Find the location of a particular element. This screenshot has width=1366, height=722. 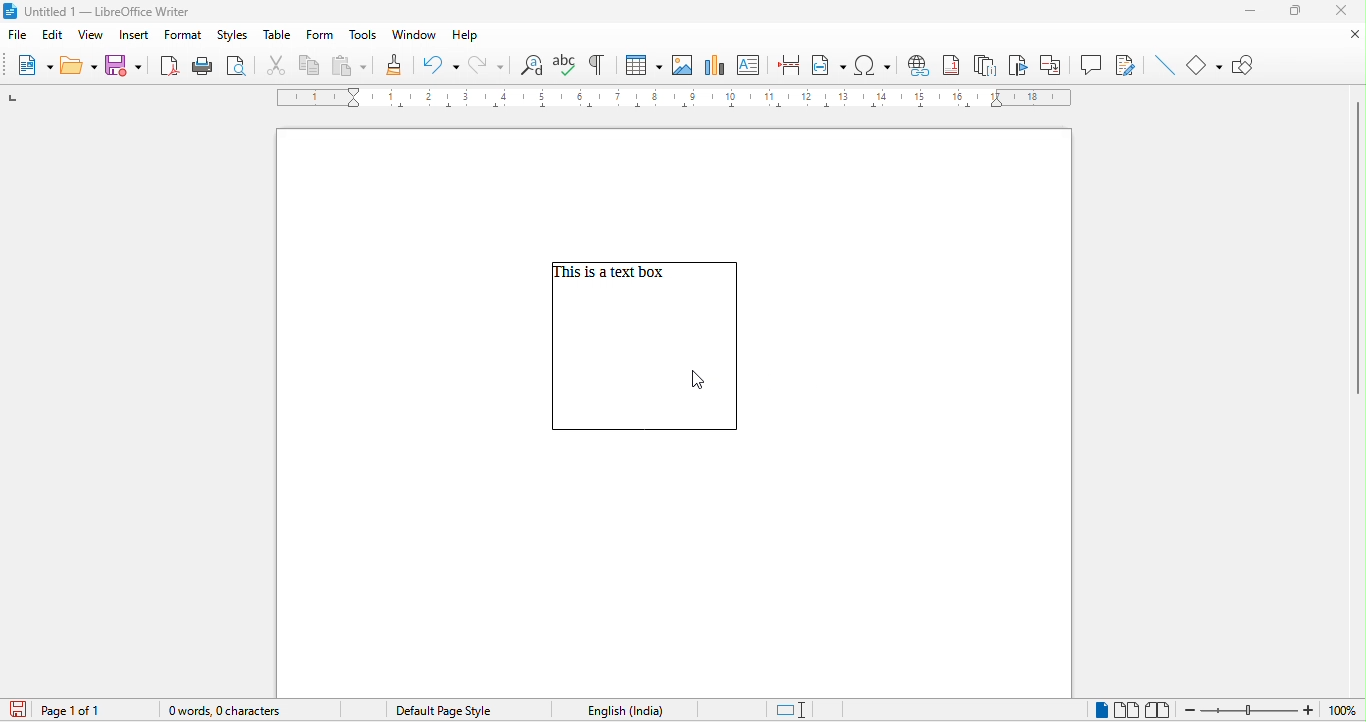

export directly as pdf is located at coordinates (169, 64).